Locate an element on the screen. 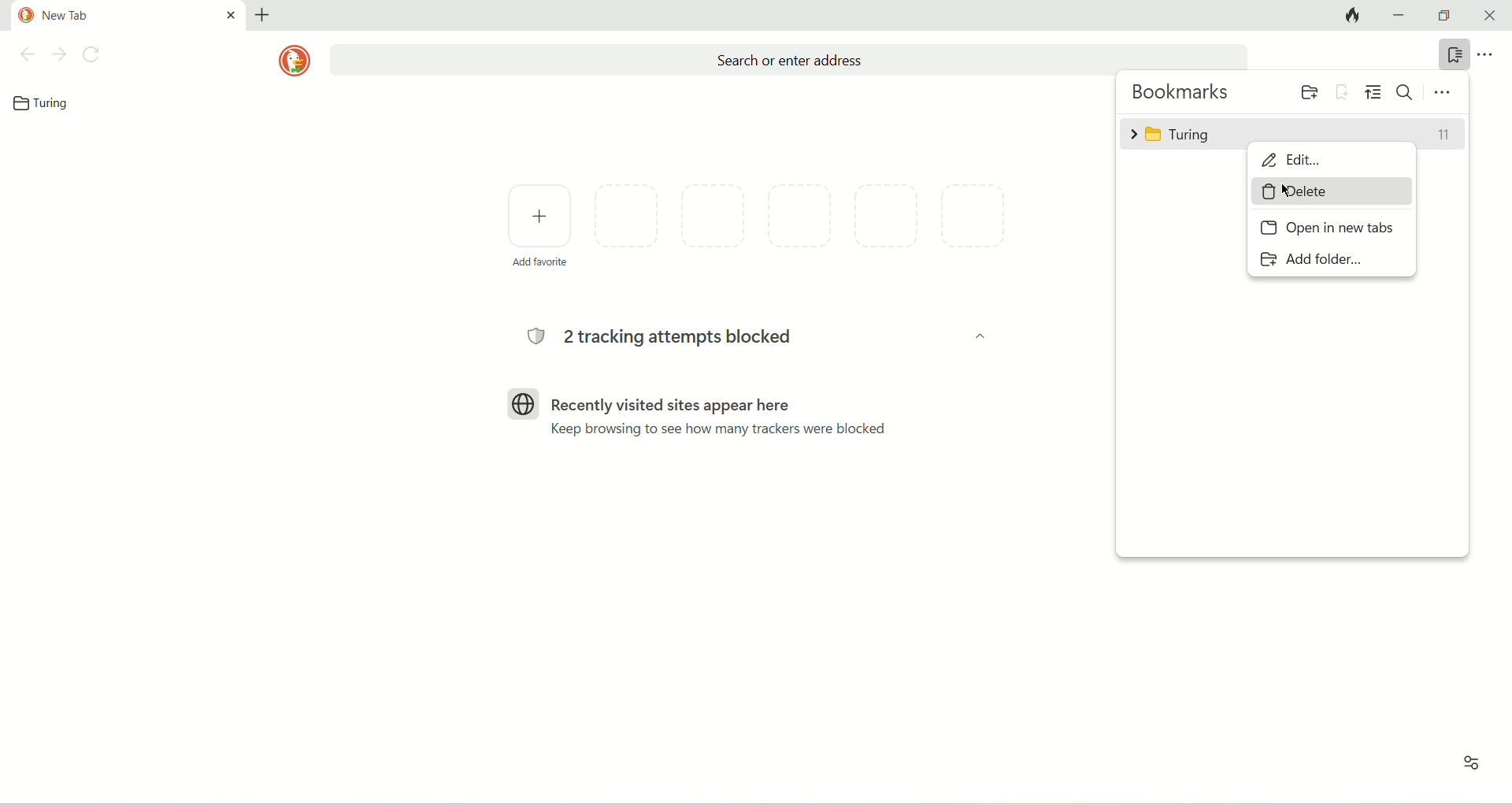 The width and height of the screenshot is (1512, 805). turing is located at coordinates (1292, 132).